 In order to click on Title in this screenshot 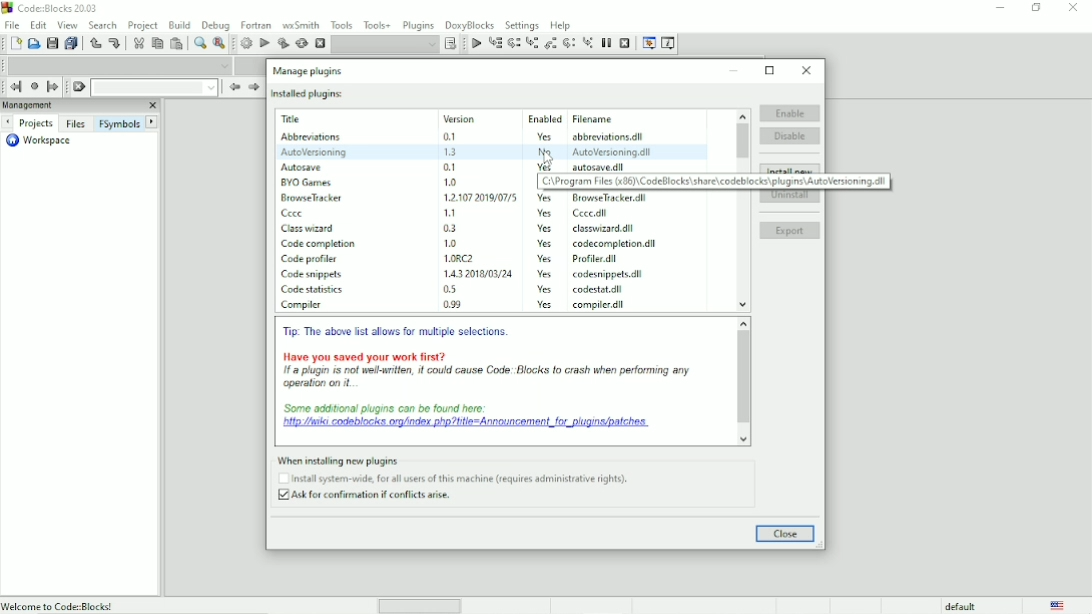, I will do `click(55, 8)`.